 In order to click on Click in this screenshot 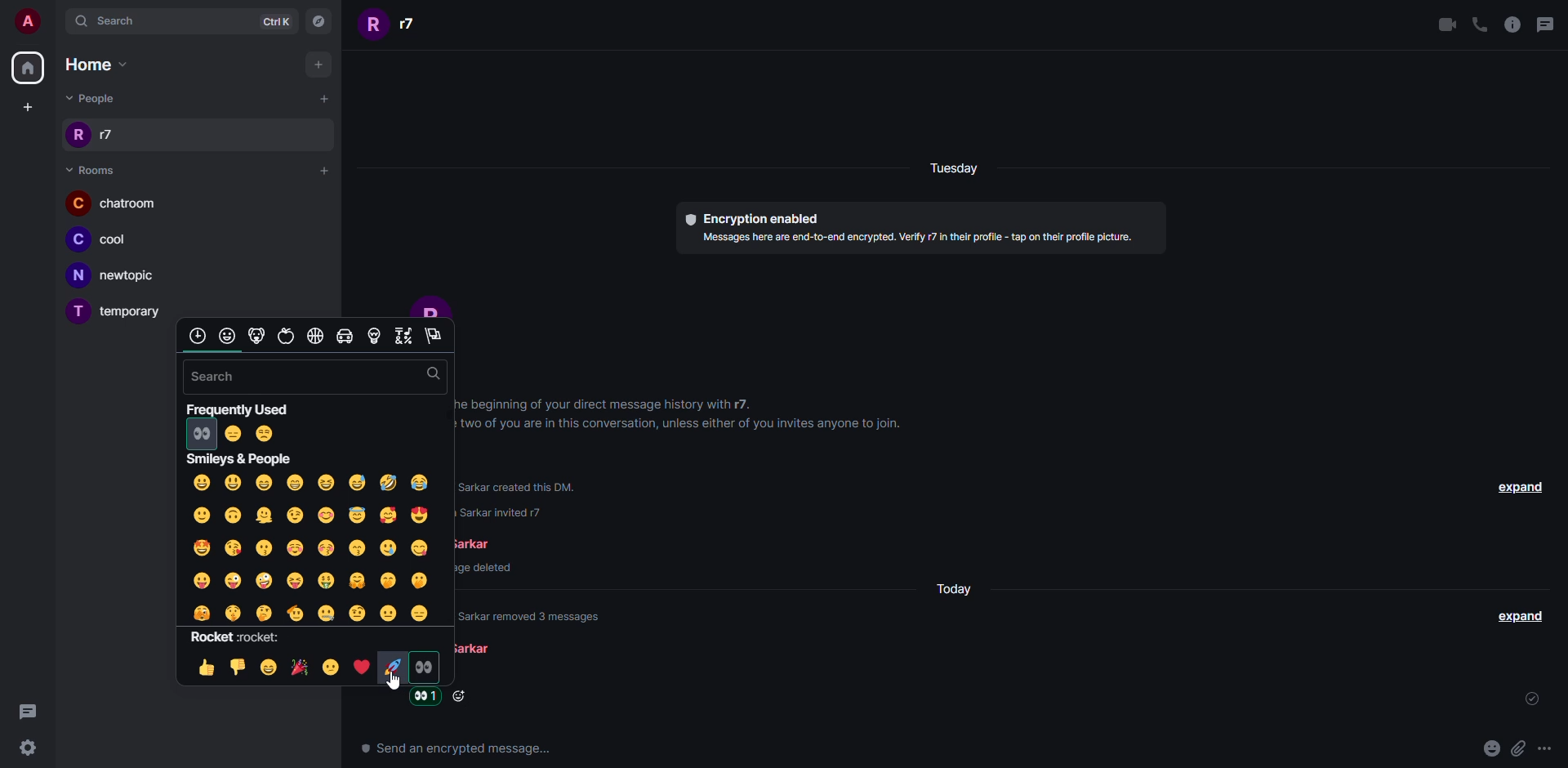, I will do `click(456, 702)`.